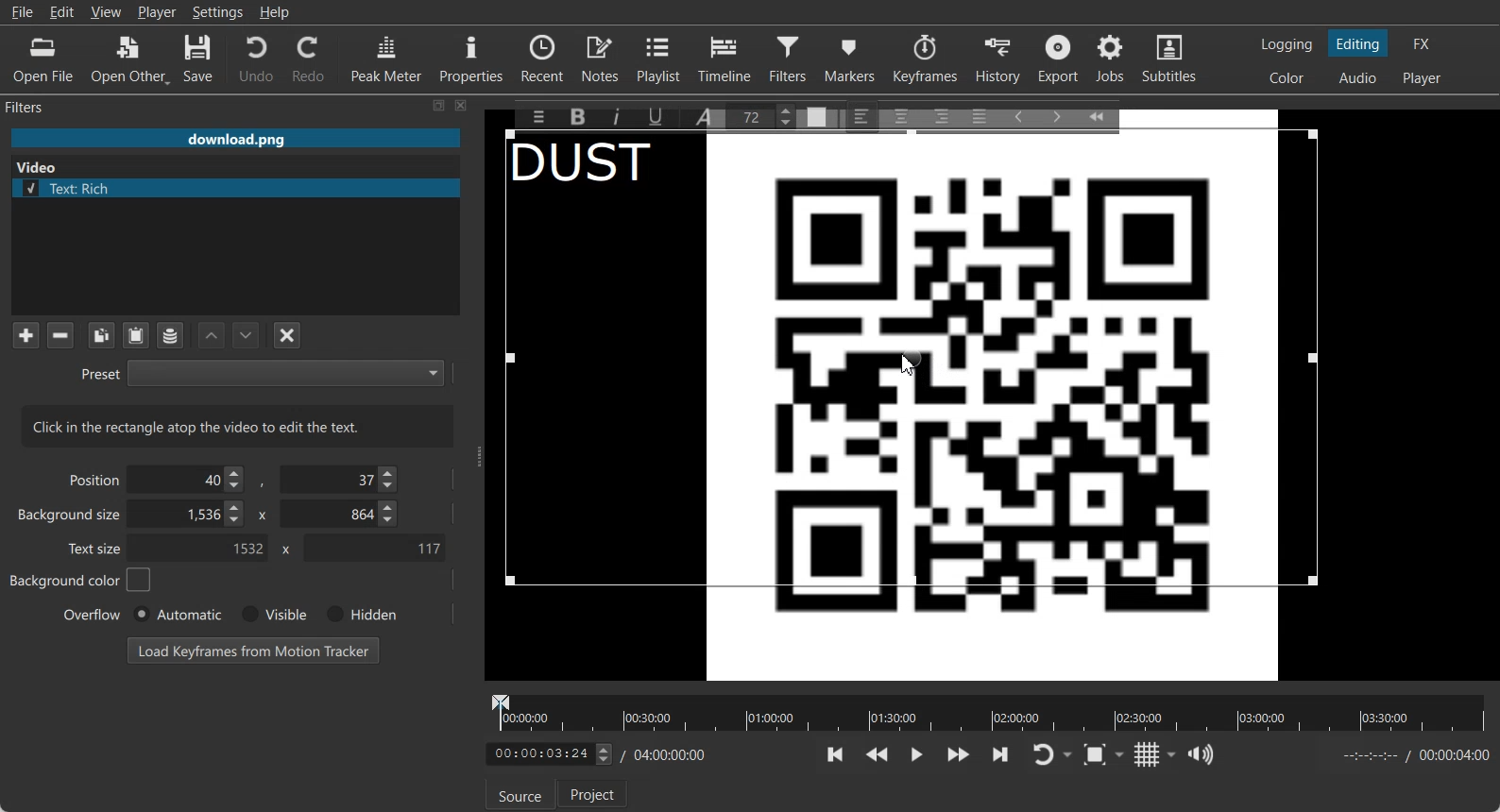 This screenshot has width=1500, height=812. I want to click on Properties, so click(471, 57).